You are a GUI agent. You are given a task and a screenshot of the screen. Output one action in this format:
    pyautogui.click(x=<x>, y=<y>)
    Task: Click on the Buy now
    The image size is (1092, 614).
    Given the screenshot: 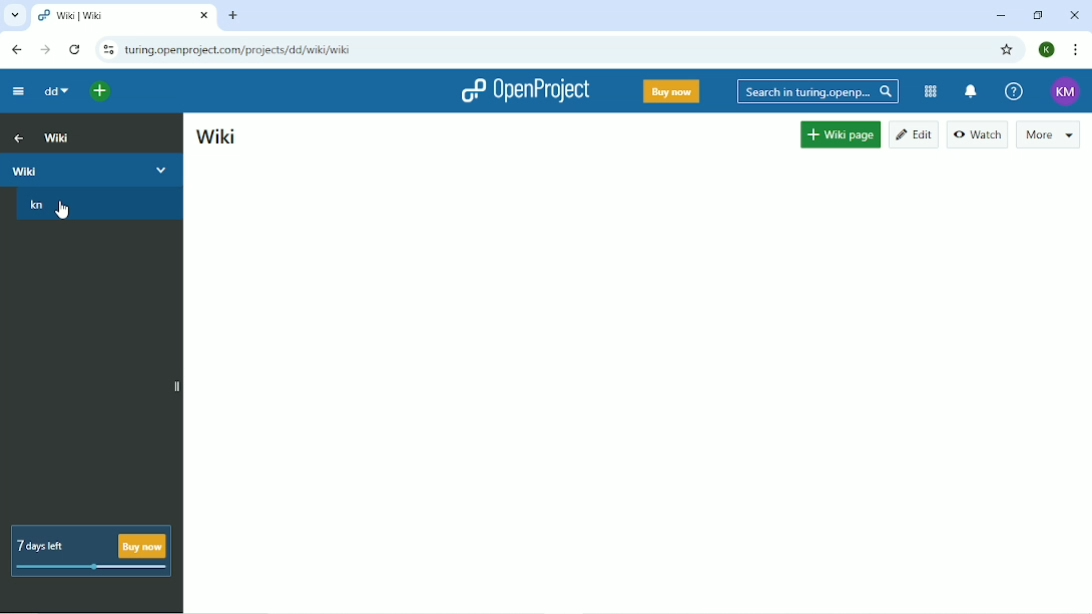 What is the action you would take?
    pyautogui.click(x=670, y=91)
    